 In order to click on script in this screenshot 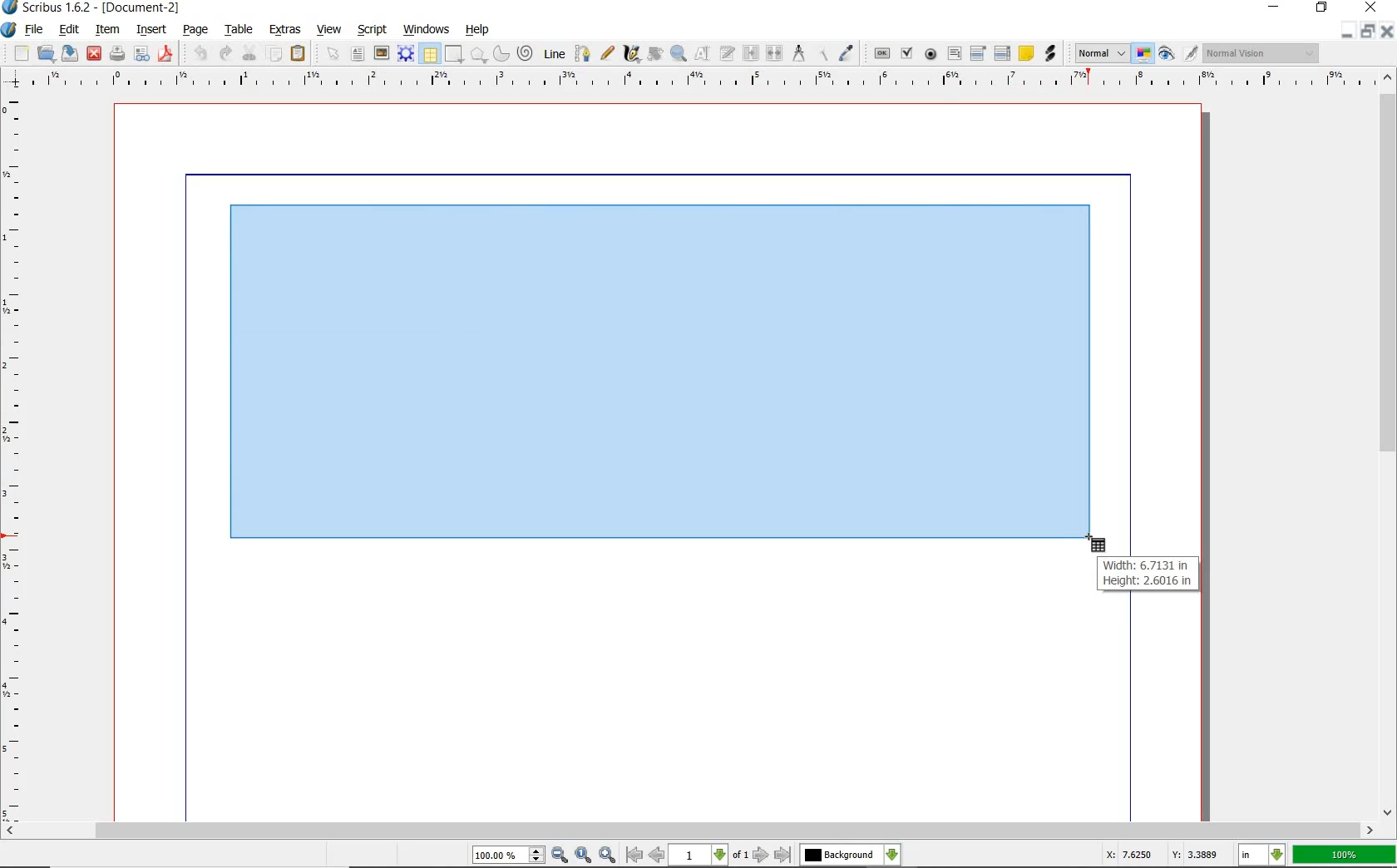, I will do `click(373, 31)`.